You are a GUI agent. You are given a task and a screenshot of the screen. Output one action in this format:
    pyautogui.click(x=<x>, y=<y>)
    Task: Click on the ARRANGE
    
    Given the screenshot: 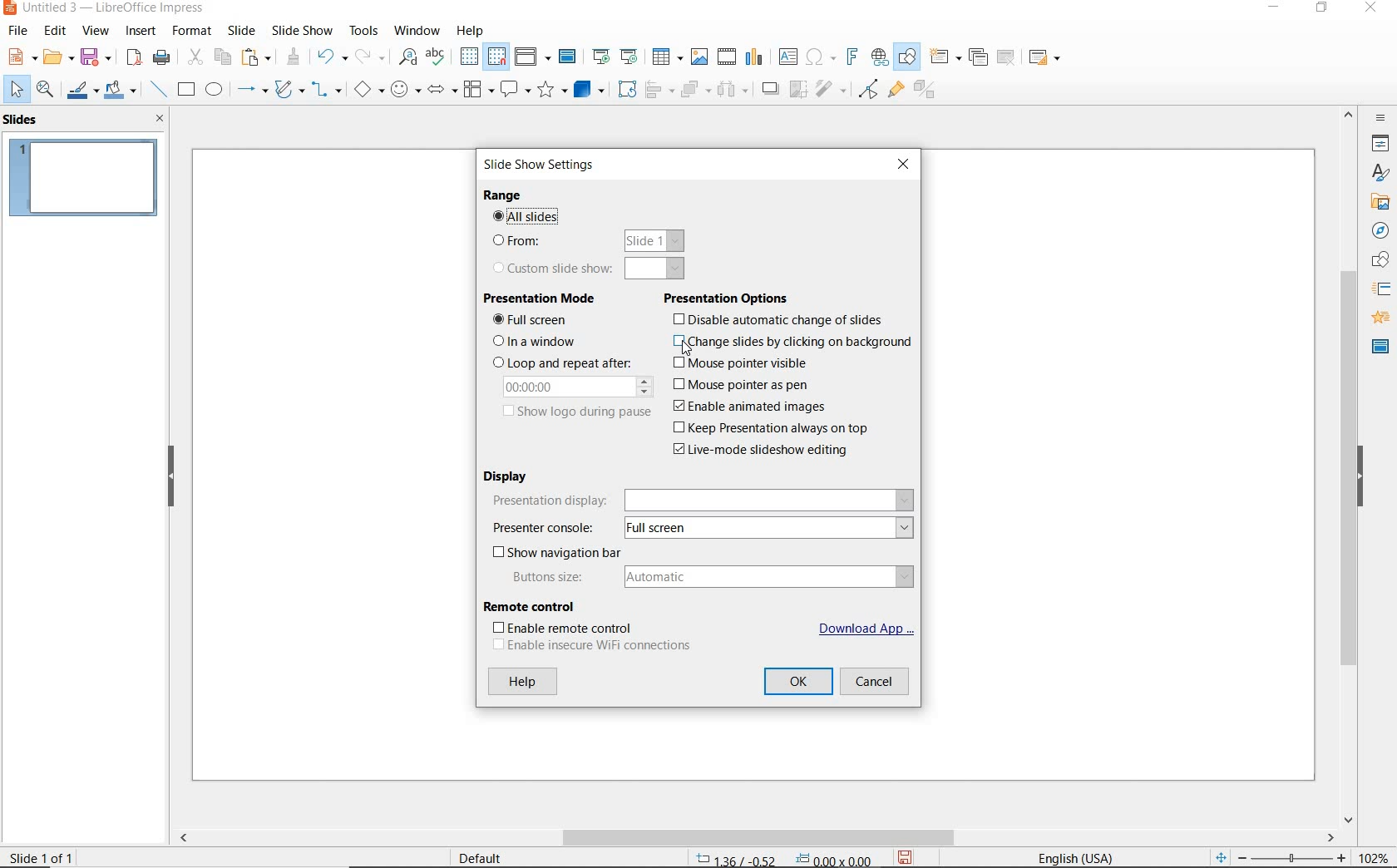 What is the action you would take?
    pyautogui.click(x=693, y=91)
    